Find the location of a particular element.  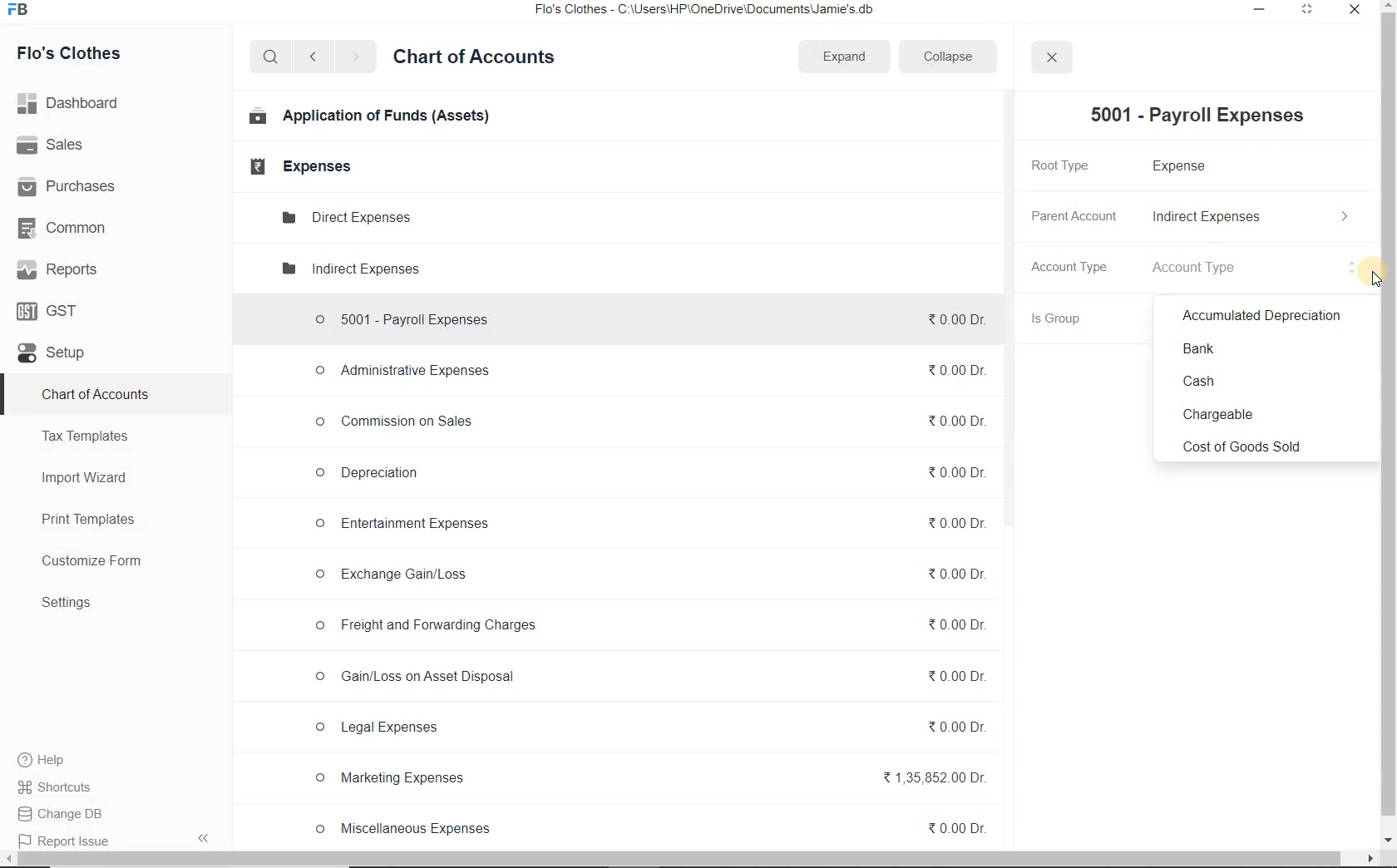

move up is located at coordinates (1389, 6).